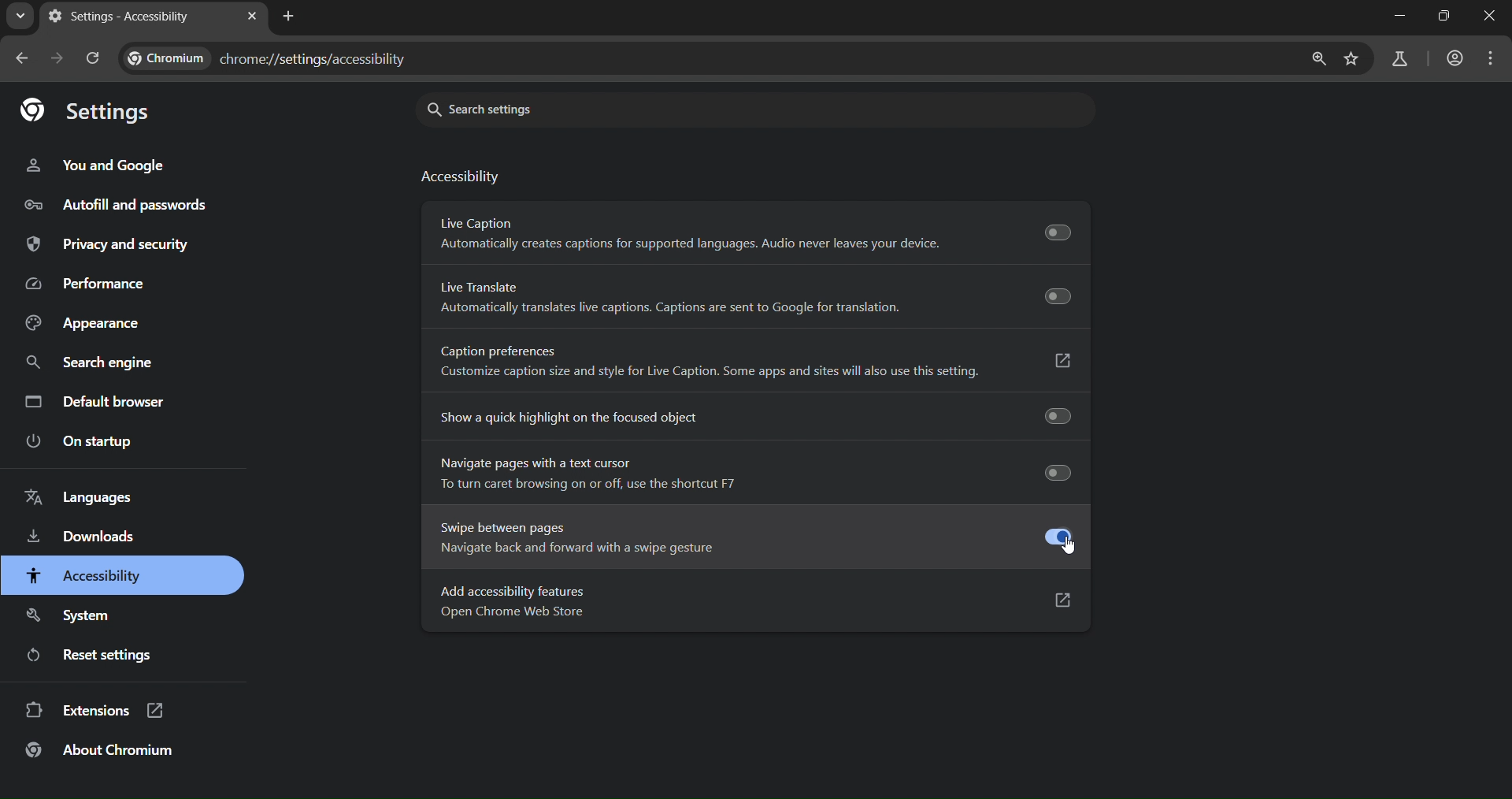  I want to click on chrome://settings/accessibility, so click(272, 61).